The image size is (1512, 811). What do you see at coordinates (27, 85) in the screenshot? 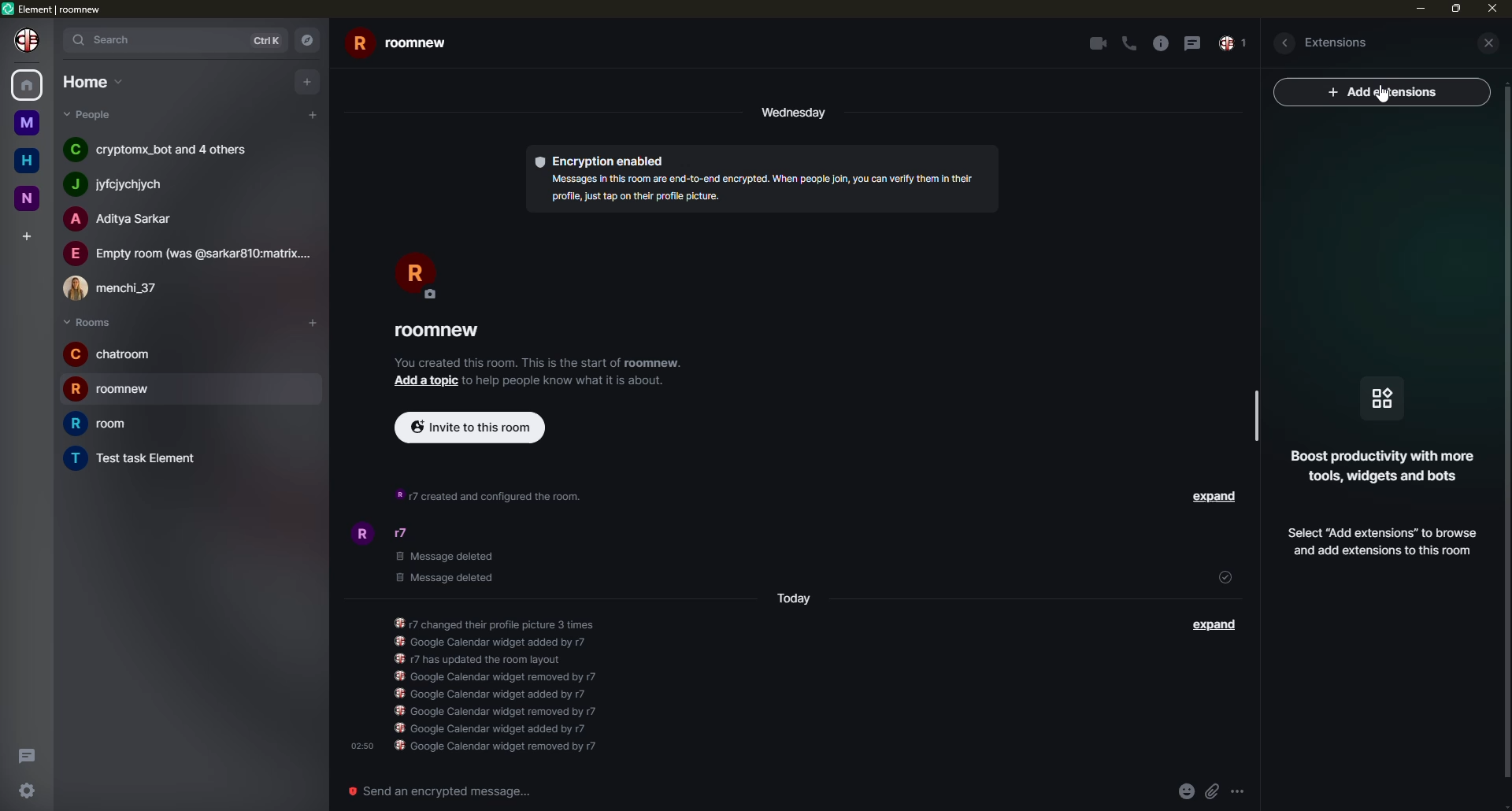
I see `home` at bounding box center [27, 85].